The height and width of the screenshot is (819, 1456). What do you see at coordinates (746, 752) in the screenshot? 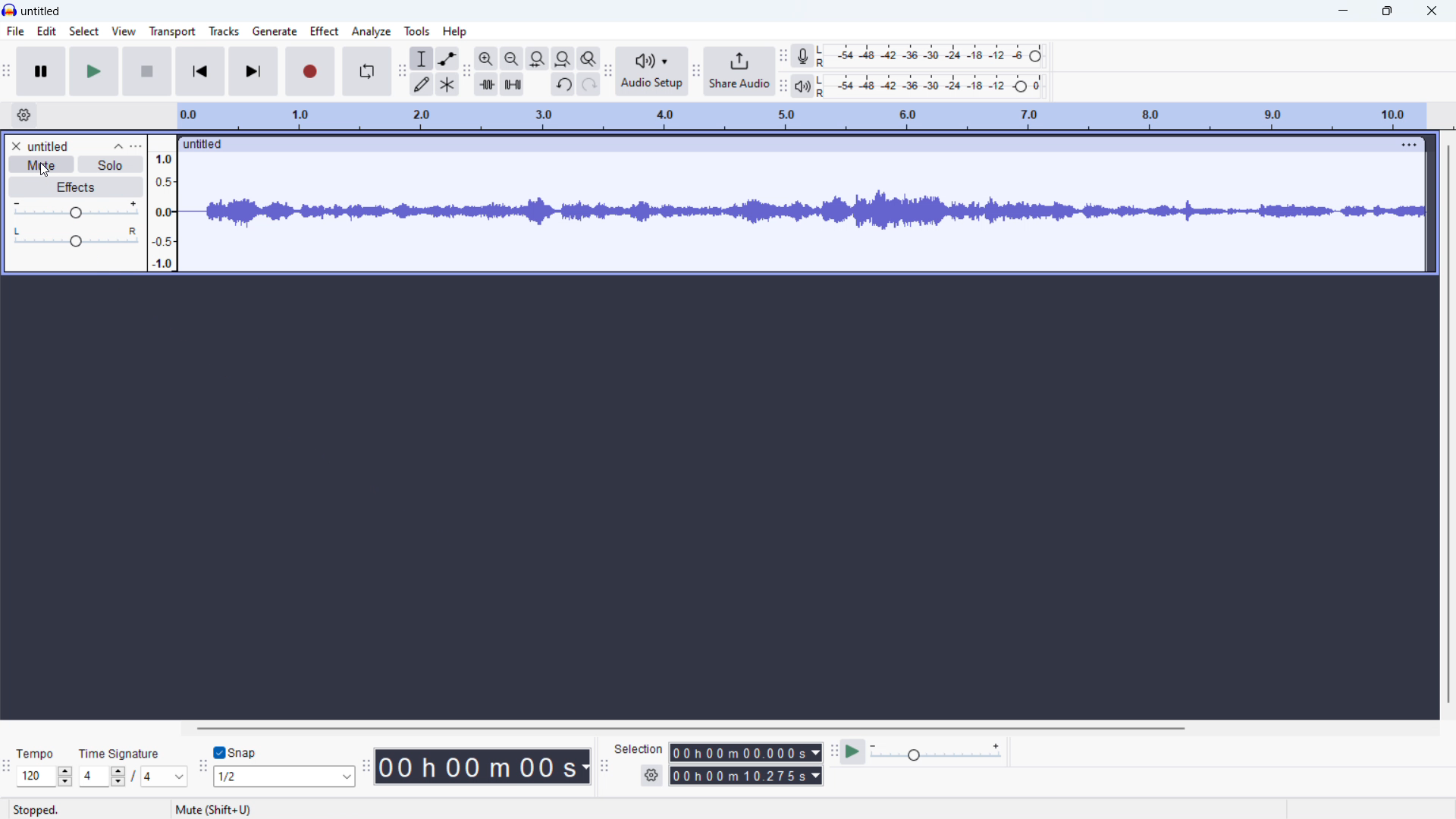
I see `start time` at bounding box center [746, 752].